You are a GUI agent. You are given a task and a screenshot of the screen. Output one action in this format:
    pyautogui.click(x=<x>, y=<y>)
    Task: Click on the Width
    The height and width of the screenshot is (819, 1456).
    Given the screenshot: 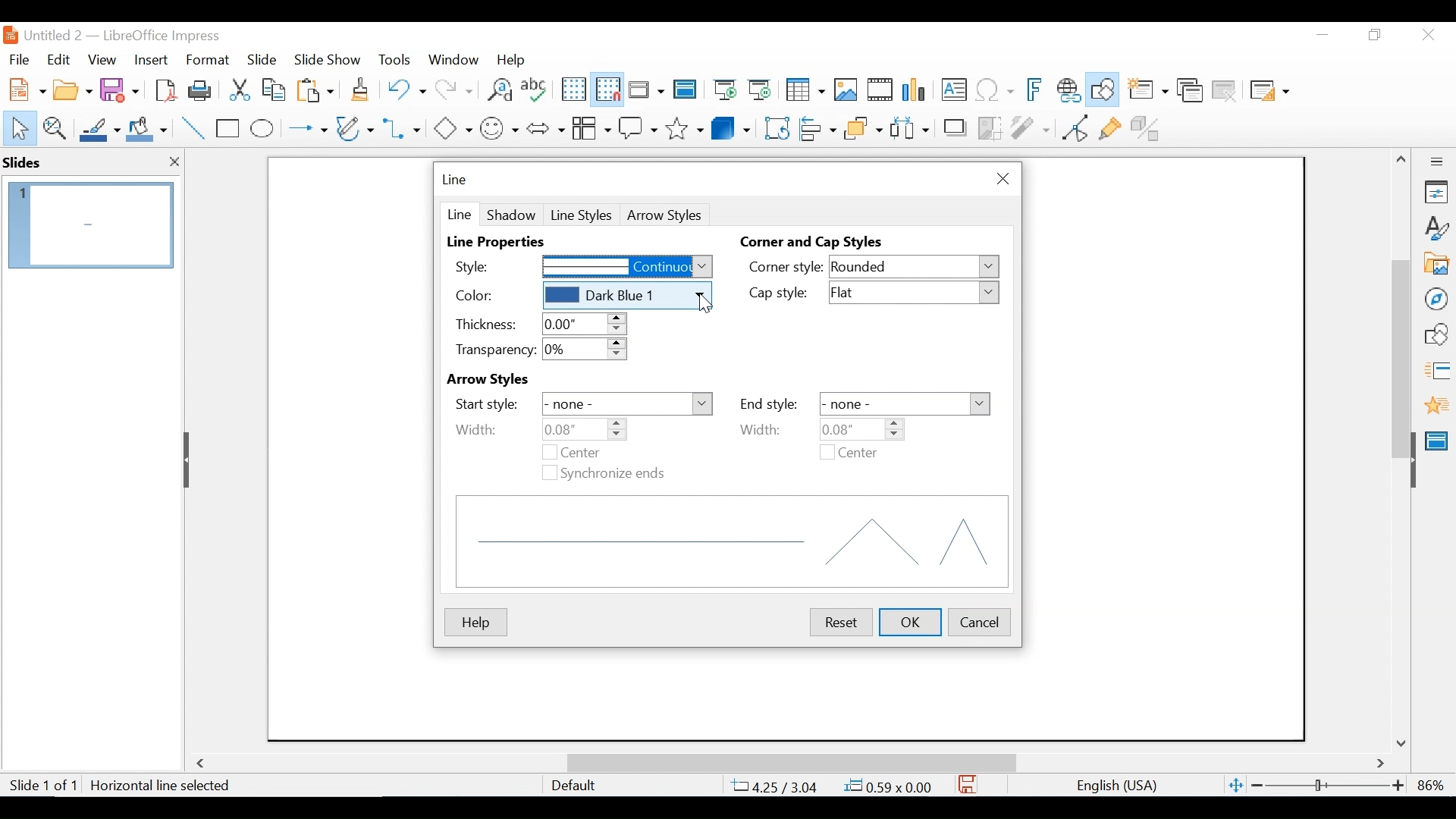 What is the action you would take?
    pyautogui.click(x=476, y=429)
    